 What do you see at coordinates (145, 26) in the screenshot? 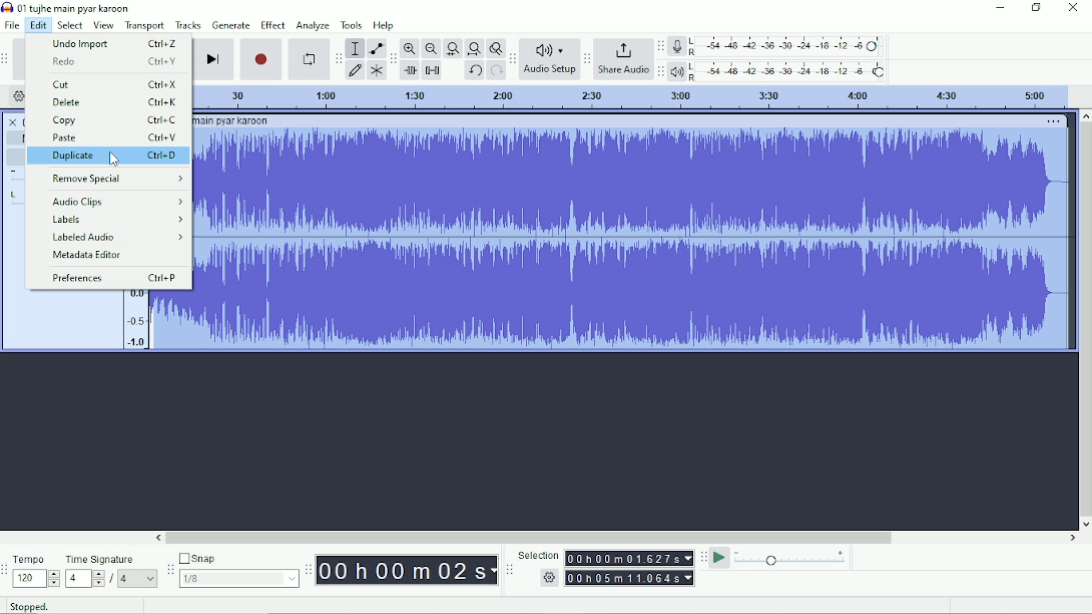
I see `Transport` at bounding box center [145, 26].